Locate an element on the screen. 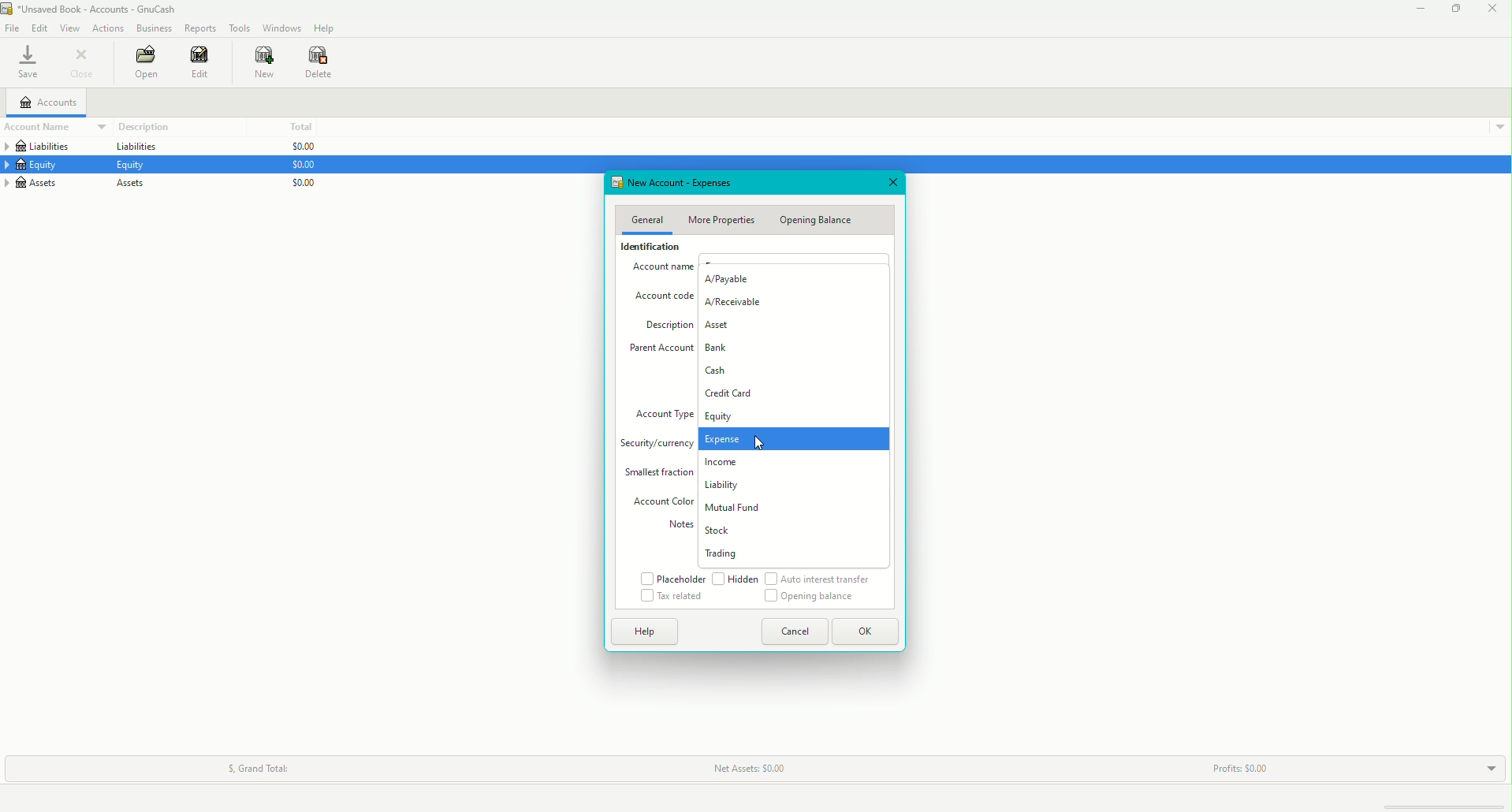 The height and width of the screenshot is (812, 1512). Income is located at coordinates (723, 464).